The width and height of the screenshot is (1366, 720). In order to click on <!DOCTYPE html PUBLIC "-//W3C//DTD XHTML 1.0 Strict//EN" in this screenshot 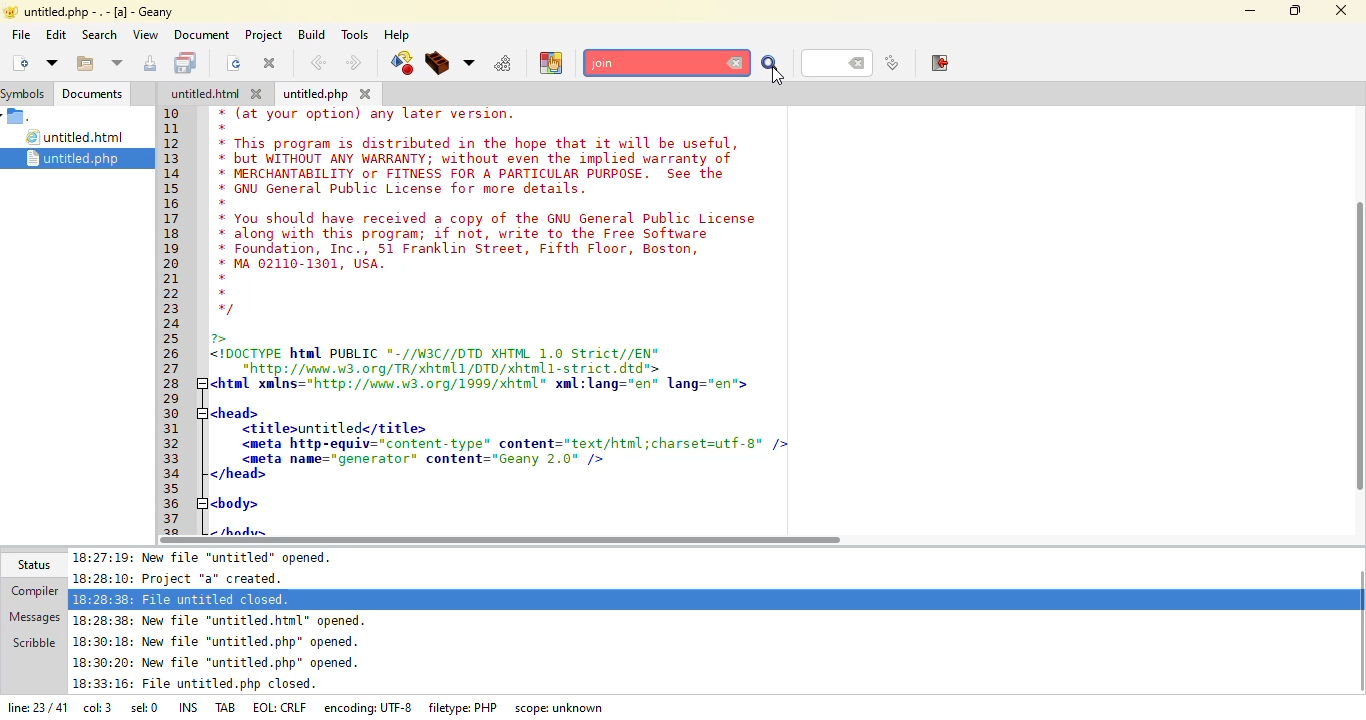, I will do `click(437, 355)`.